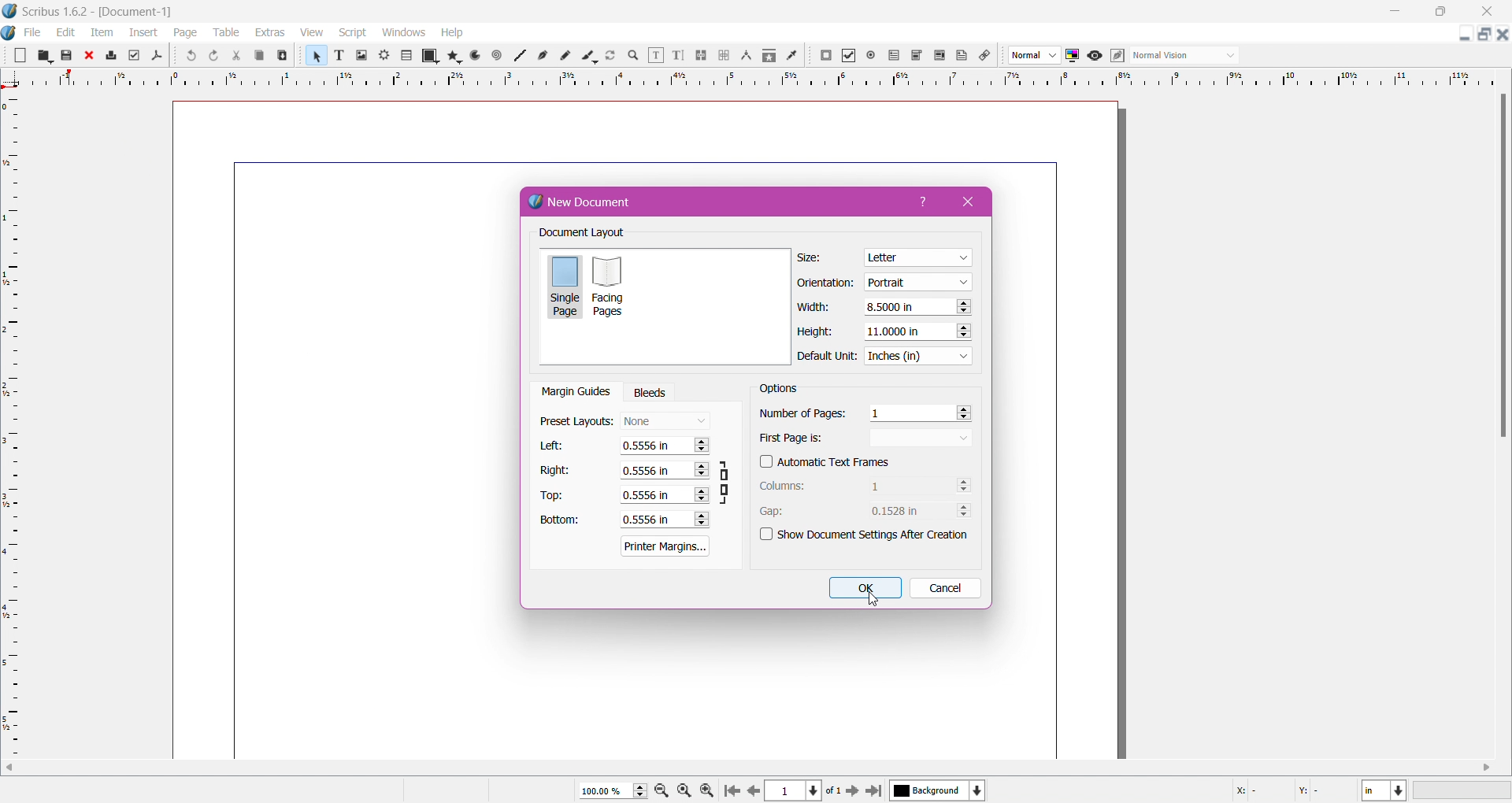  Describe the element at coordinates (431, 54) in the screenshot. I see `icon` at that location.